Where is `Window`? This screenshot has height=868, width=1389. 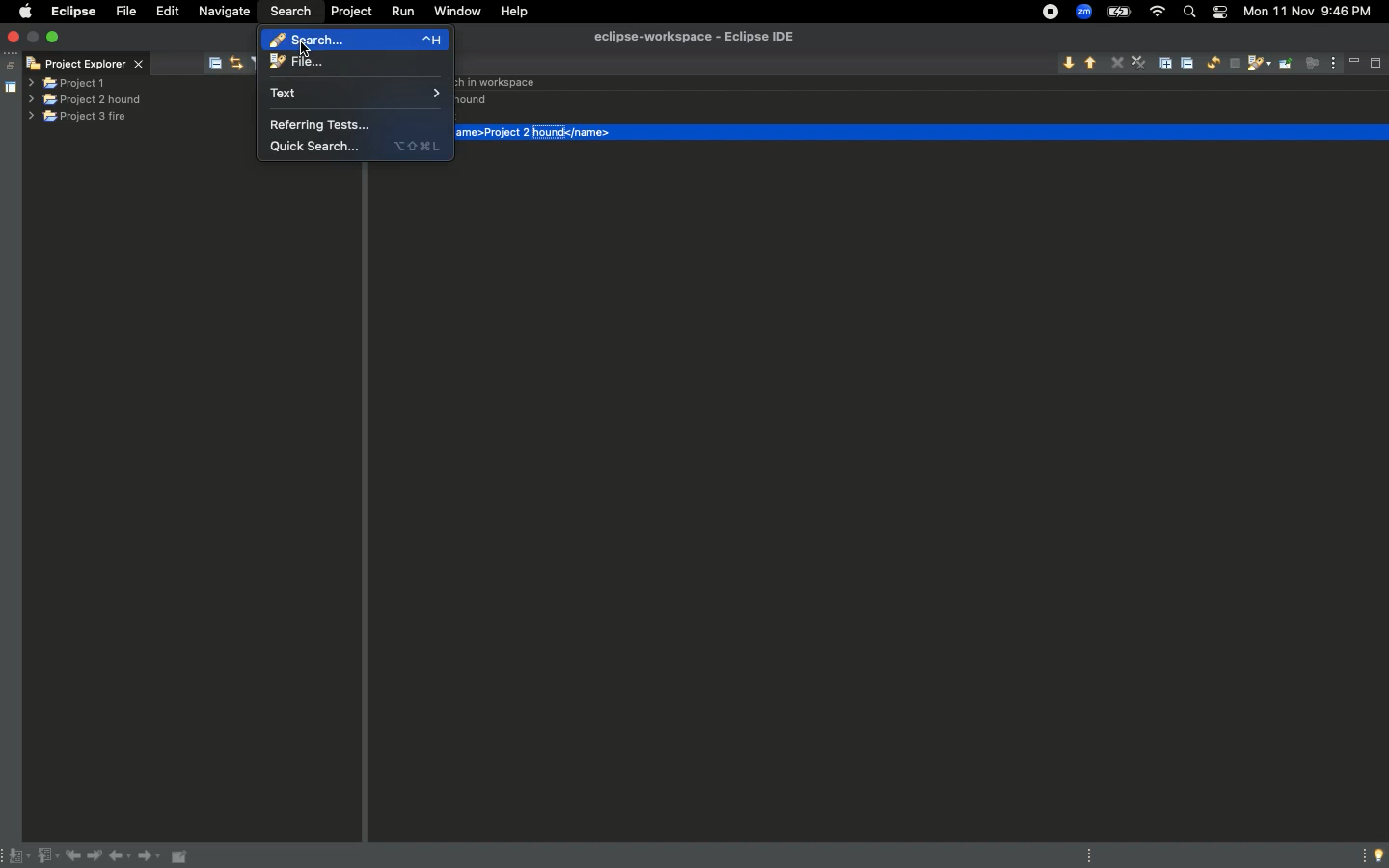 Window is located at coordinates (458, 12).